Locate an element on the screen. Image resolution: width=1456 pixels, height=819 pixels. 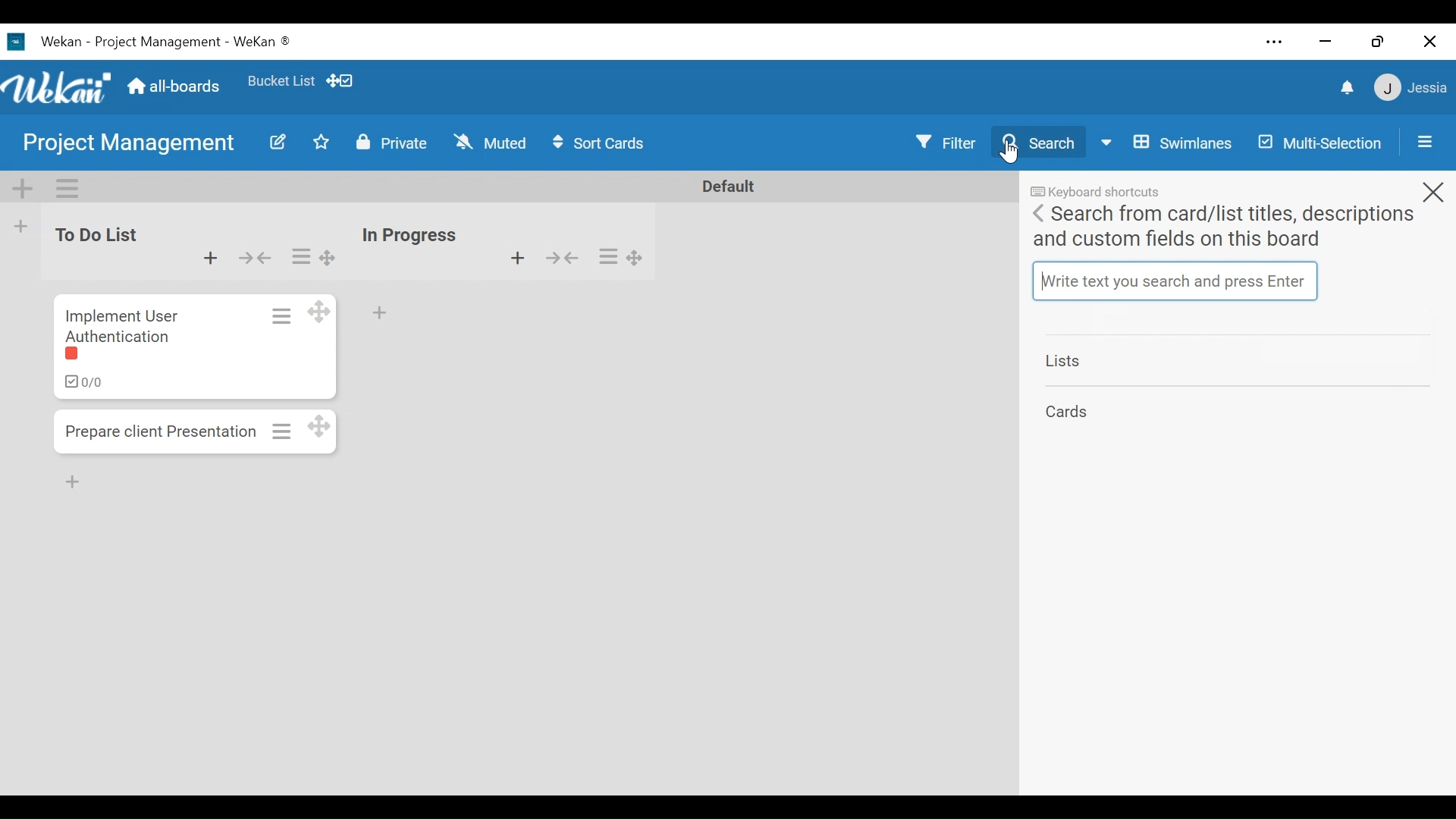
Close is located at coordinates (1428, 42).